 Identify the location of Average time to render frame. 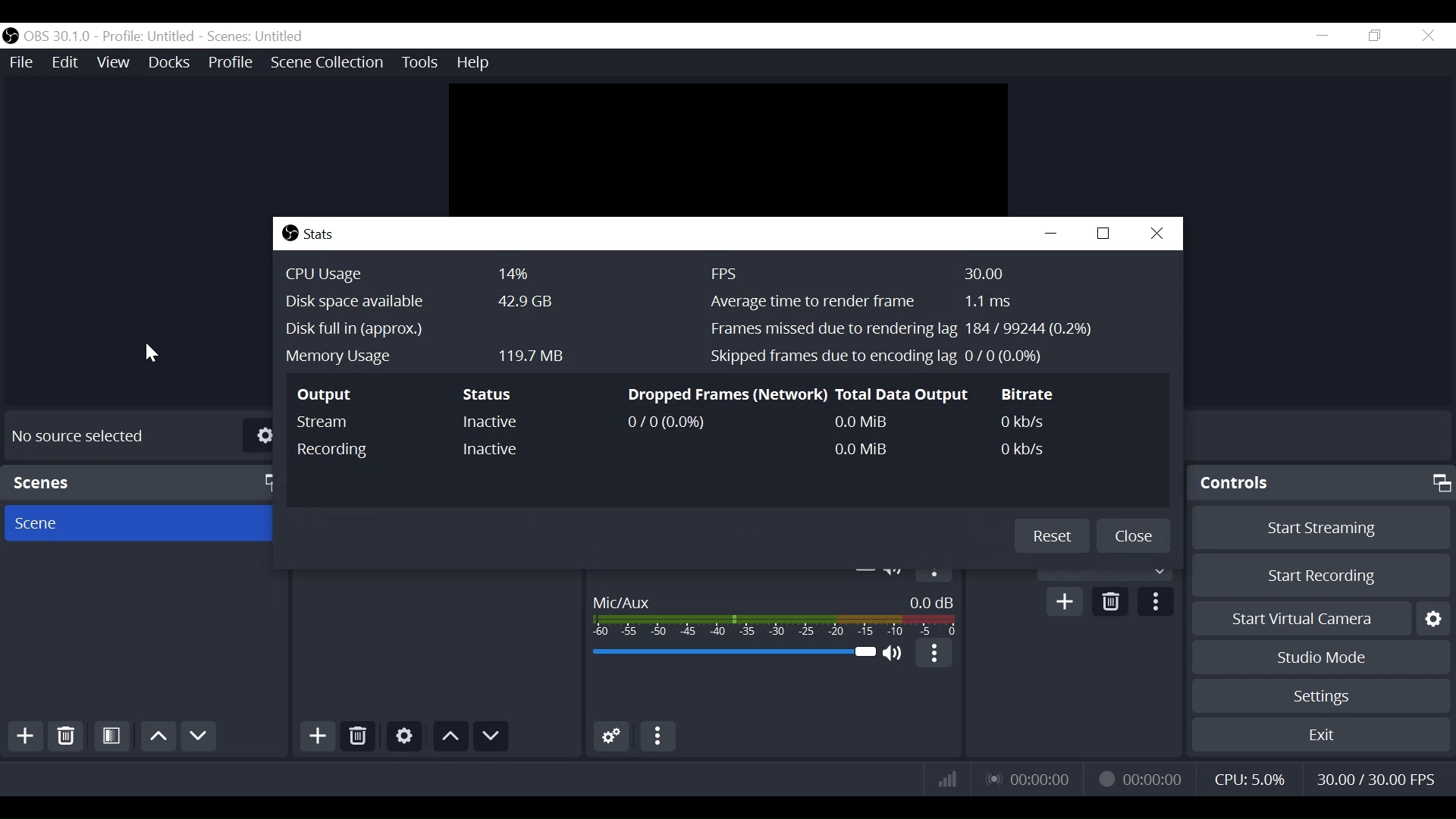
(911, 301).